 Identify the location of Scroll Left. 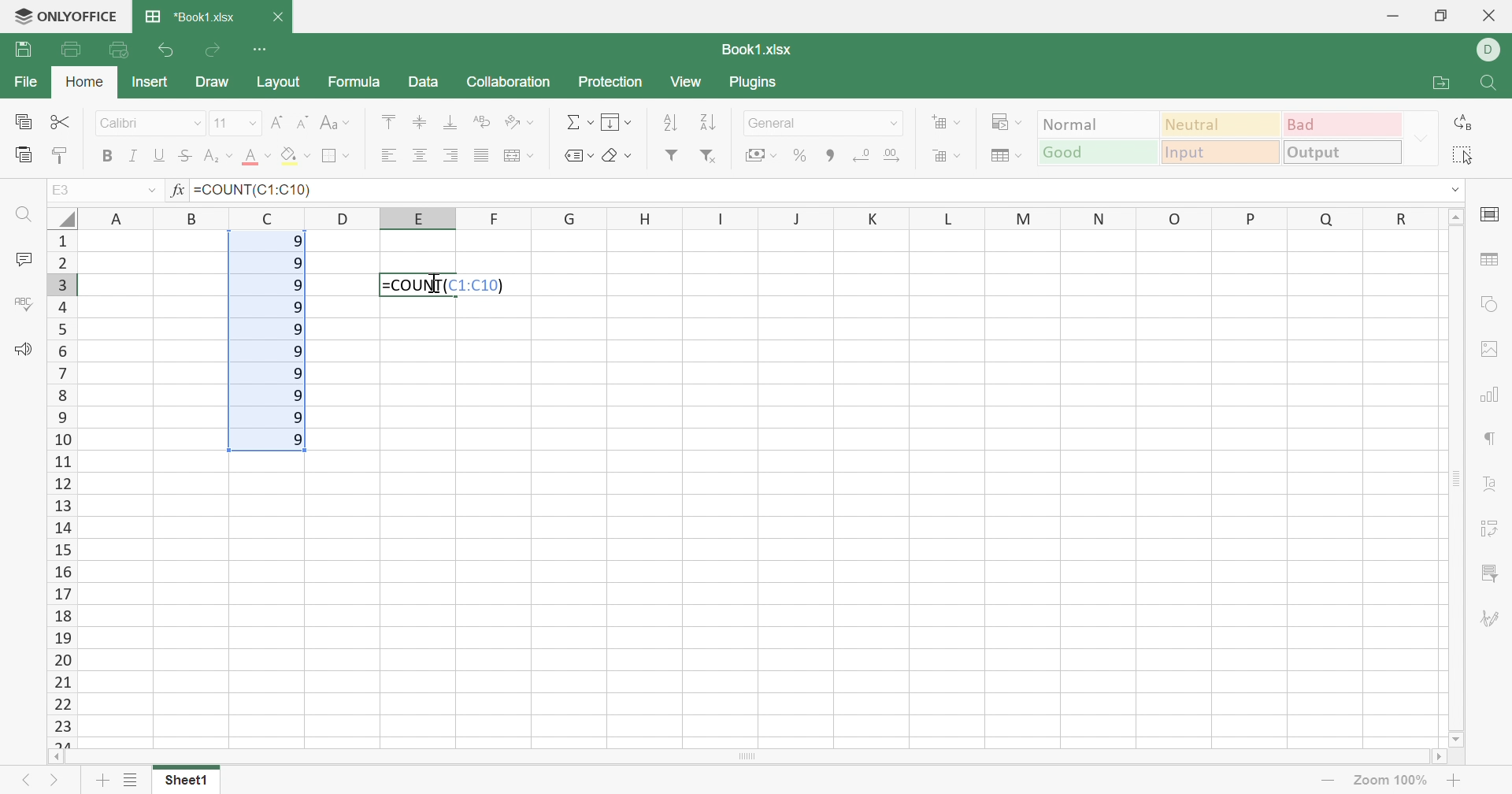
(61, 758).